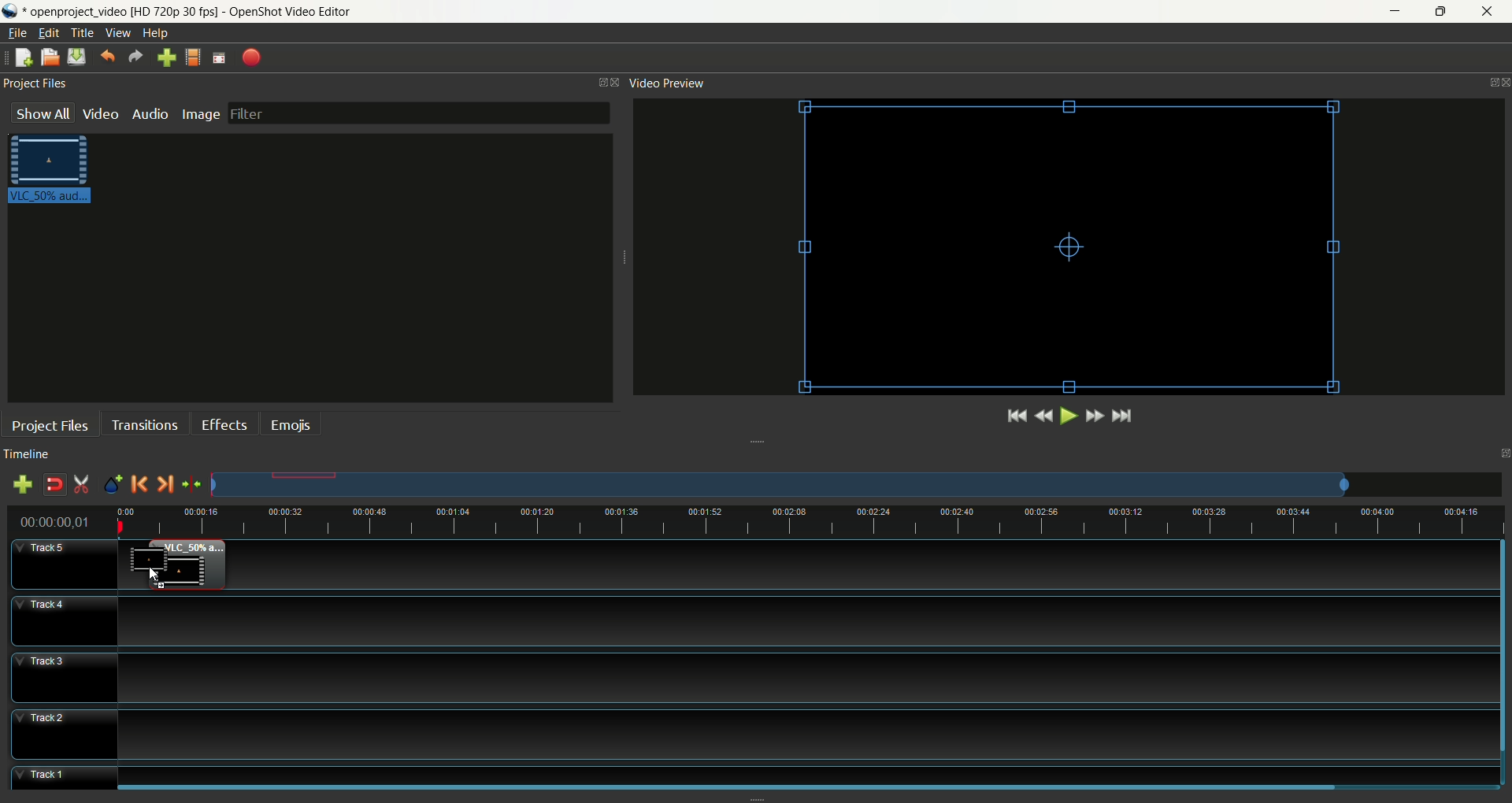 This screenshot has width=1512, height=803. I want to click on undo, so click(106, 56).